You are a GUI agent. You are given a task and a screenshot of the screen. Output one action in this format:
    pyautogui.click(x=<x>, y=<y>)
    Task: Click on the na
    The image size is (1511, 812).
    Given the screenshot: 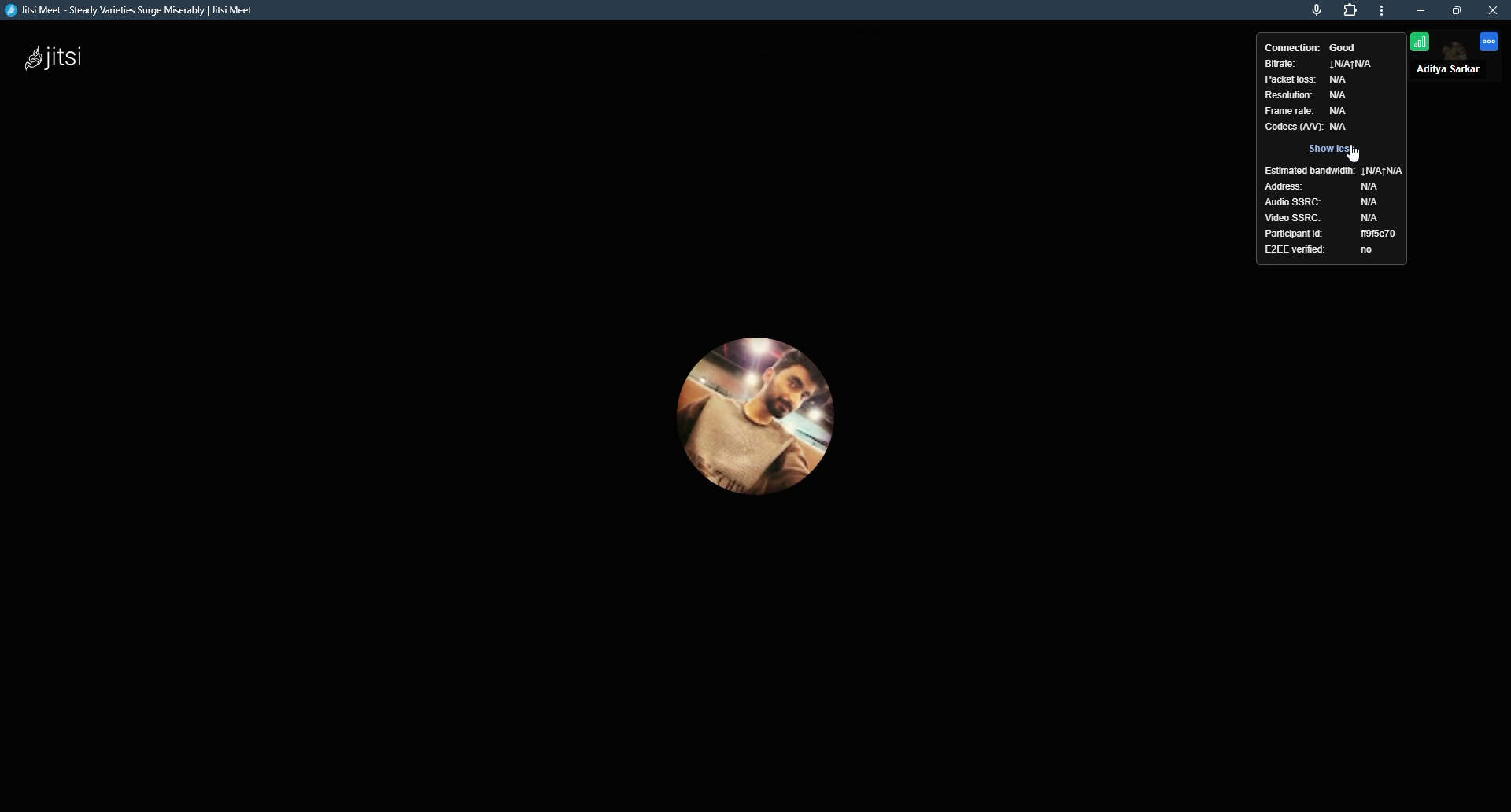 What is the action you would take?
    pyautogui.click(x=1339, y=94)
    